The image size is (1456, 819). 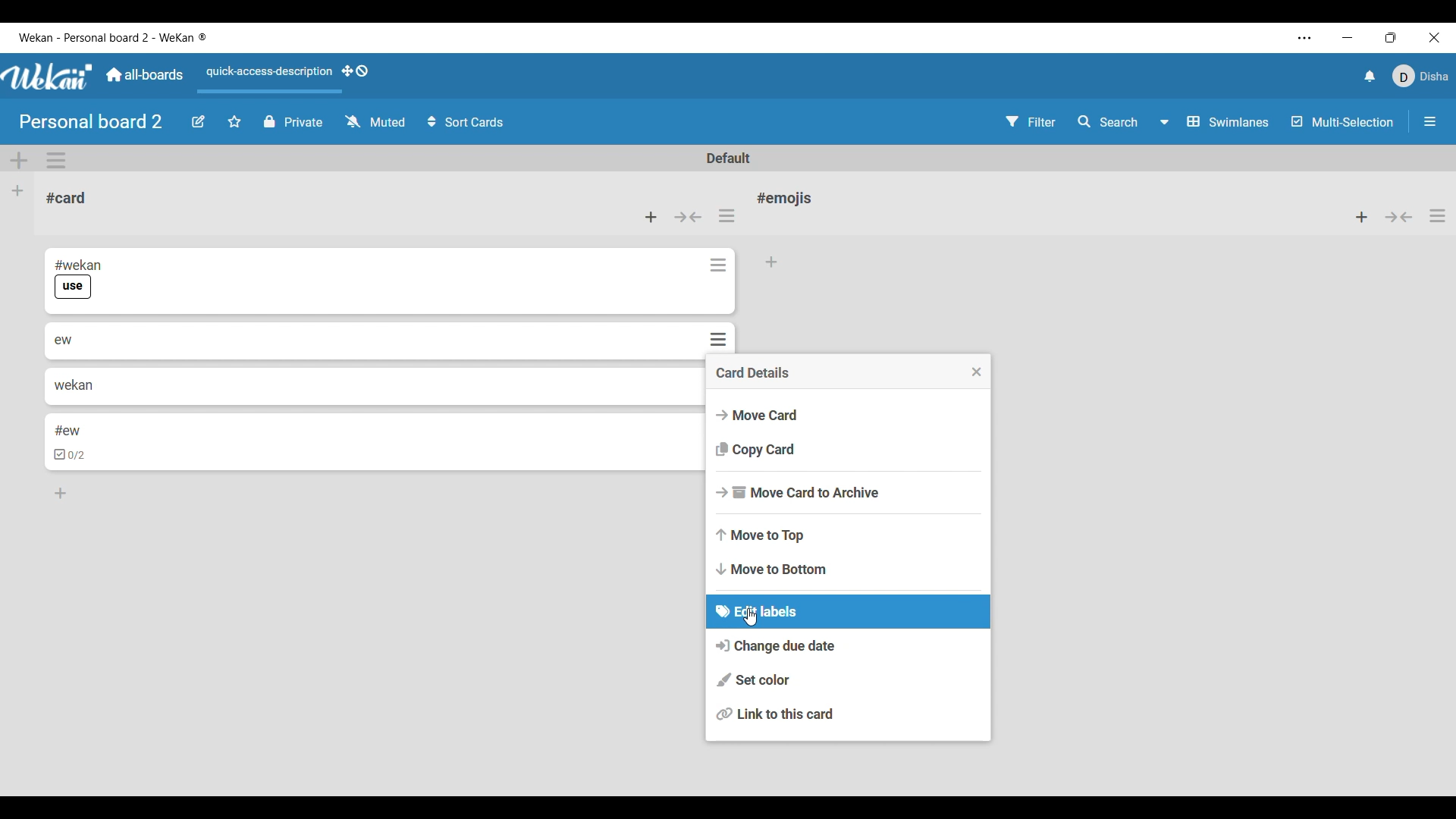 I want to click on Minimize, so click(x=1347, y=38).